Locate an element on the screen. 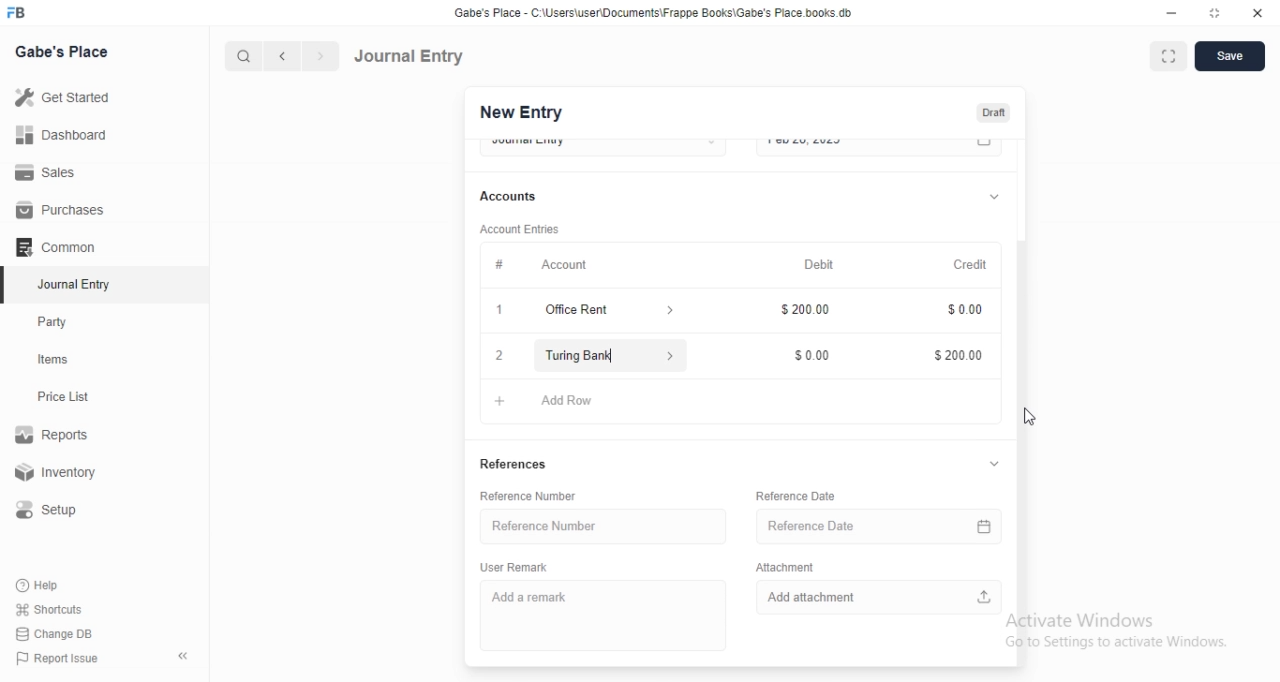 This screenshot has width=1280, height=682. FB logo is located at coordinates (18, 13).